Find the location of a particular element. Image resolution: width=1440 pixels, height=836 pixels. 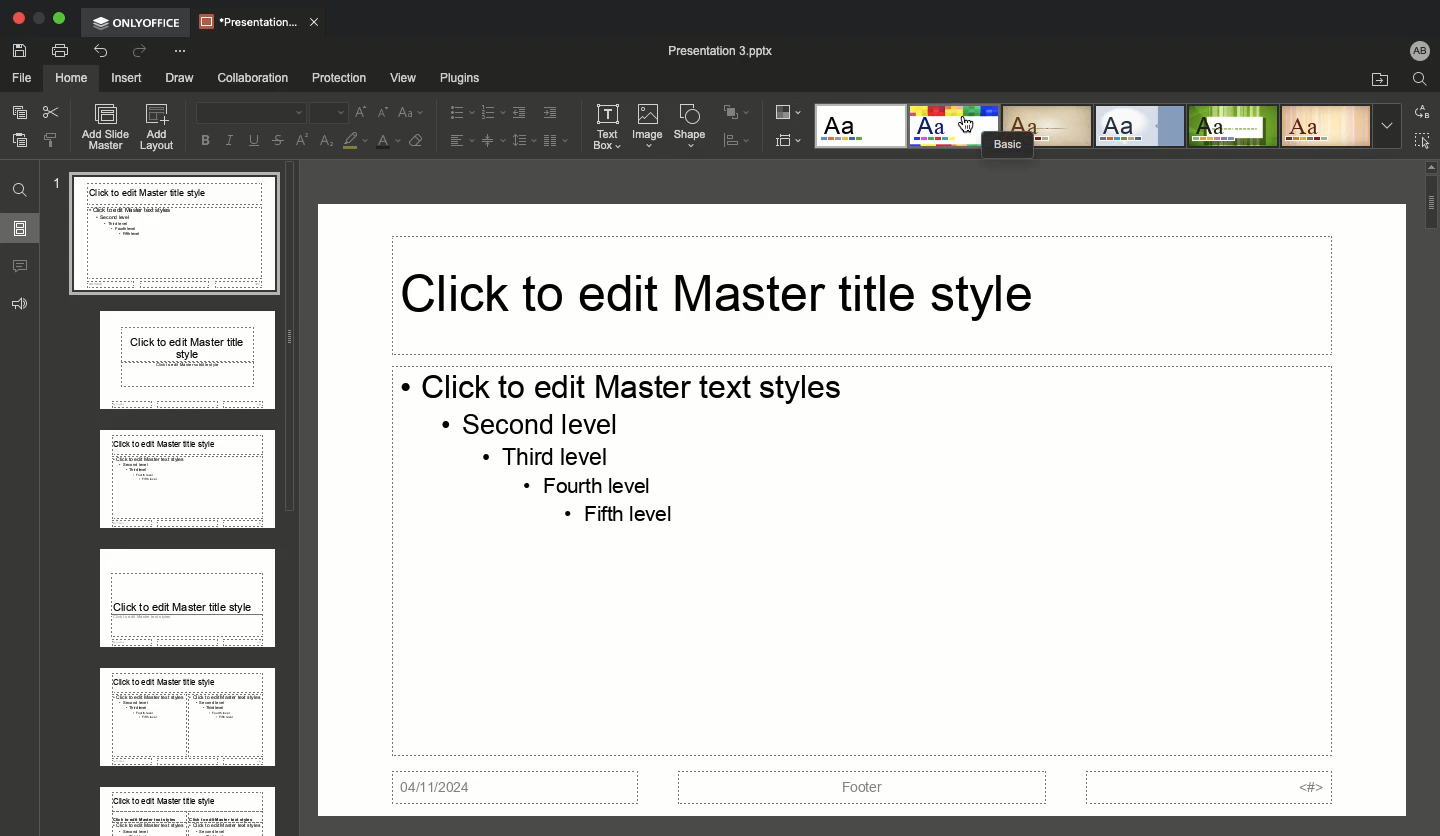

Redo is located at coordinates (137, 52).